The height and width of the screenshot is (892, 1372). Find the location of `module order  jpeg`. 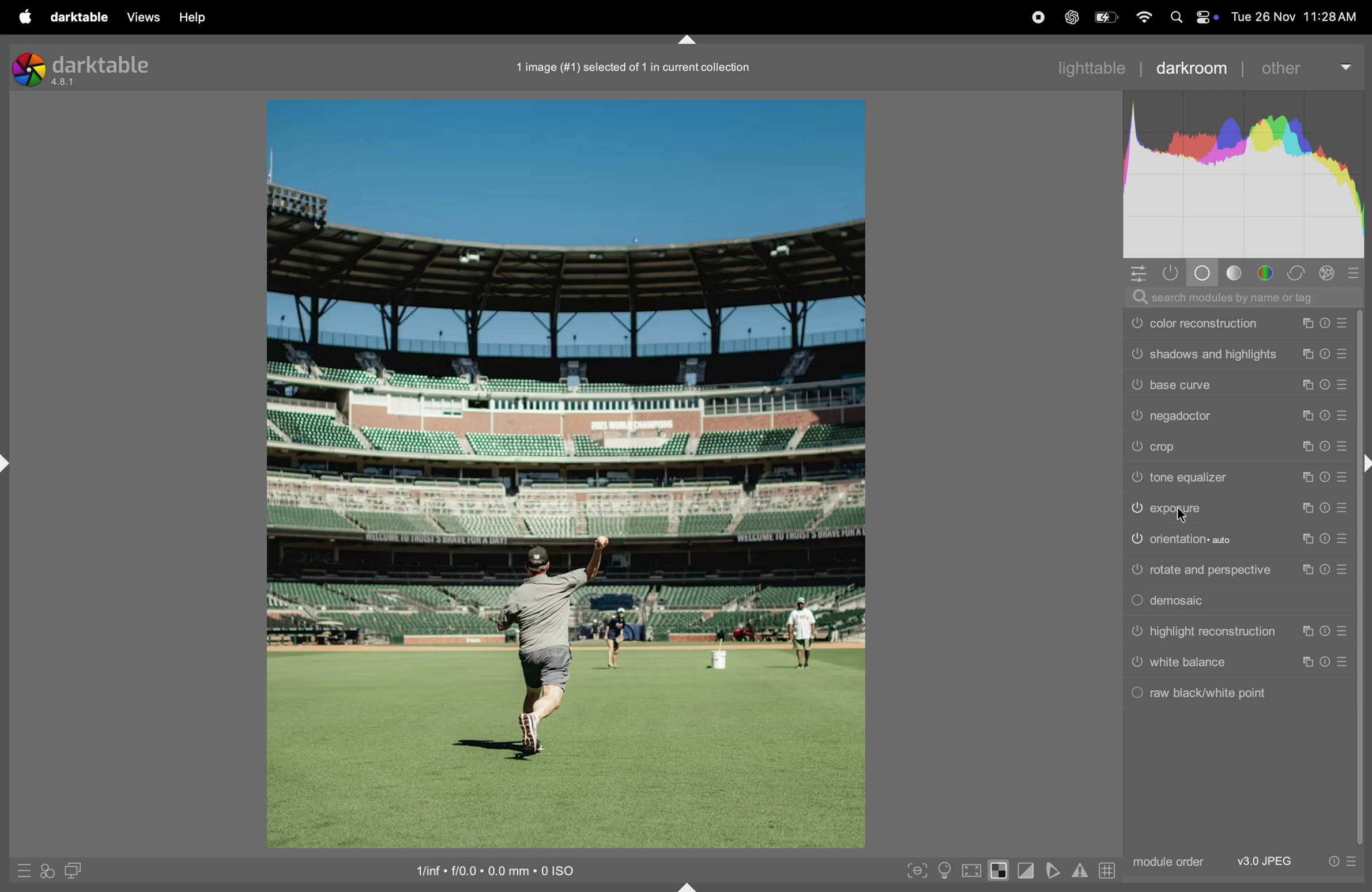

module order  jpeg is located at coordinates (1220, 862).